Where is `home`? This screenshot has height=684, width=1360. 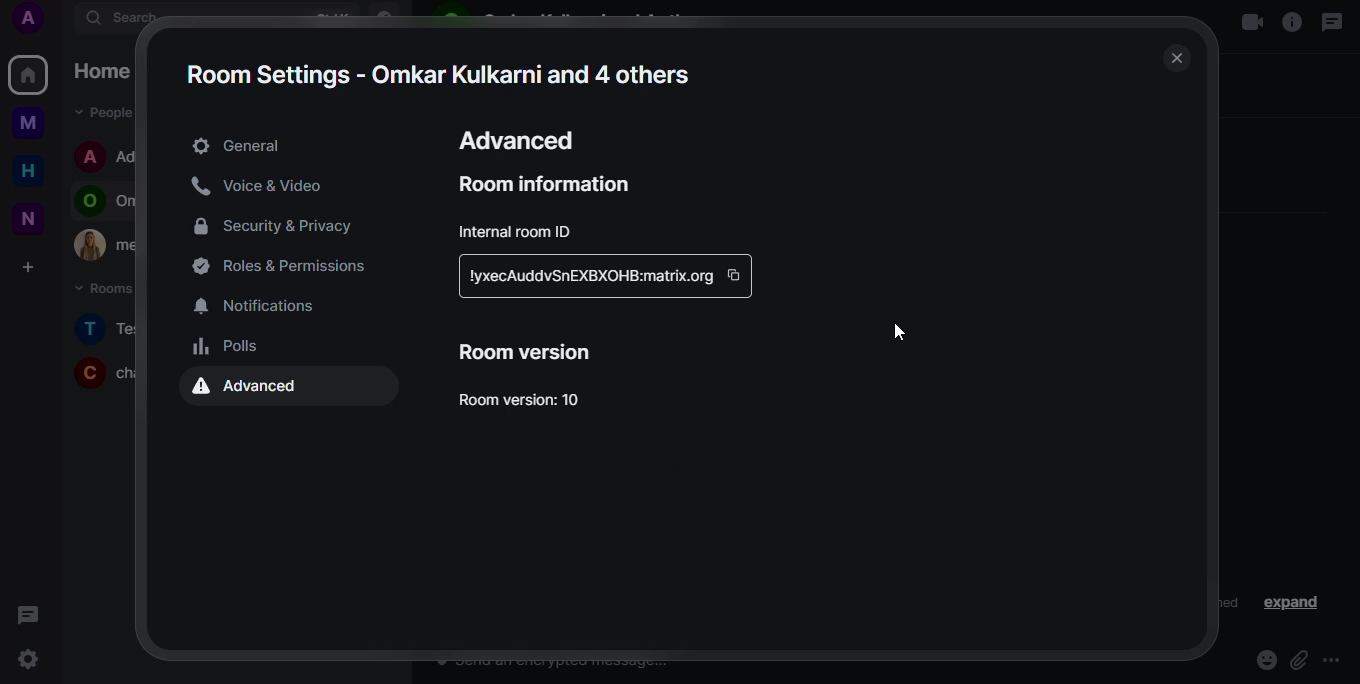
home is located at coordinates (117, 72).